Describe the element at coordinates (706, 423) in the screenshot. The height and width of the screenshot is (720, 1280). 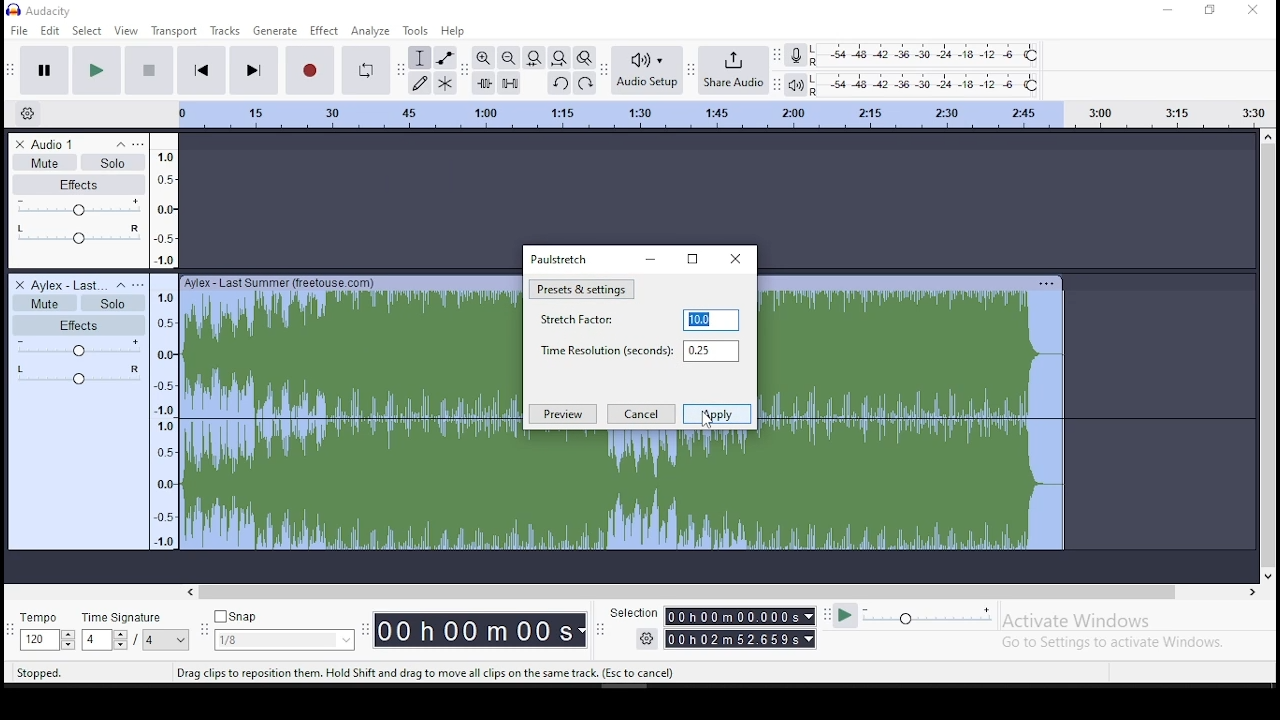
I see `cursor` at that location.